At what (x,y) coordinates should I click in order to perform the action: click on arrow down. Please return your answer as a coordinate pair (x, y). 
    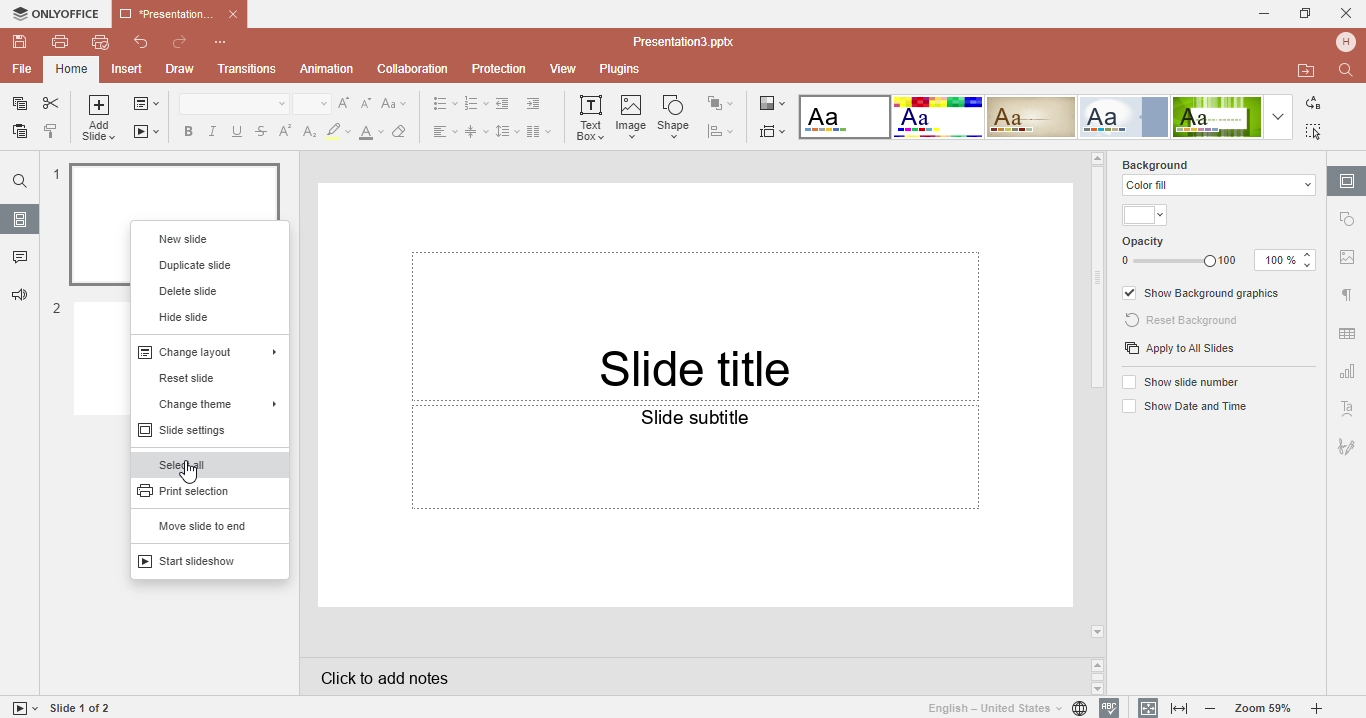
    Looking at the image, I should click on (1099, 632).